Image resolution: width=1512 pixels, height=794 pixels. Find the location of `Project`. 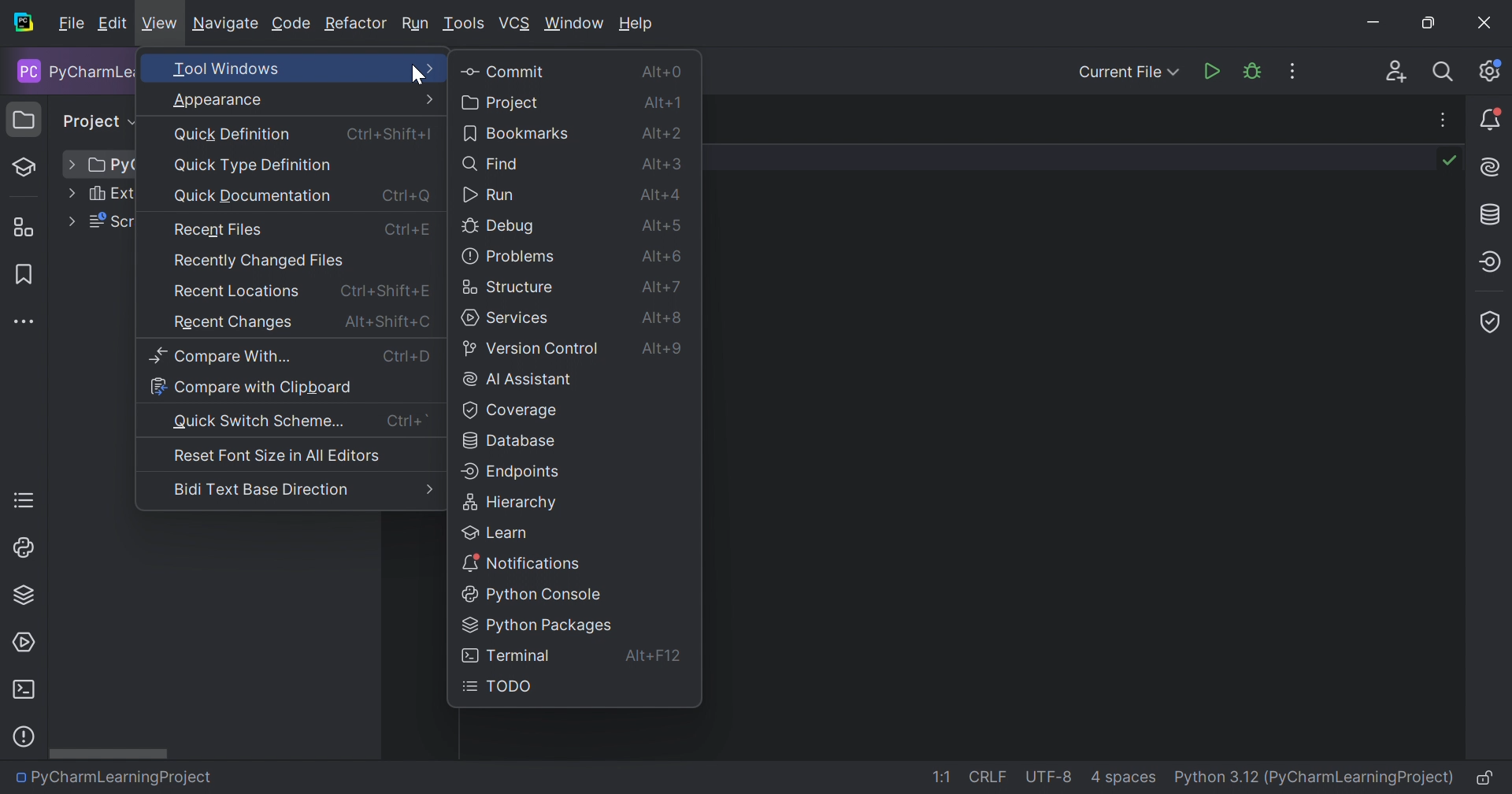

Project is located at coordinates (26, 118).